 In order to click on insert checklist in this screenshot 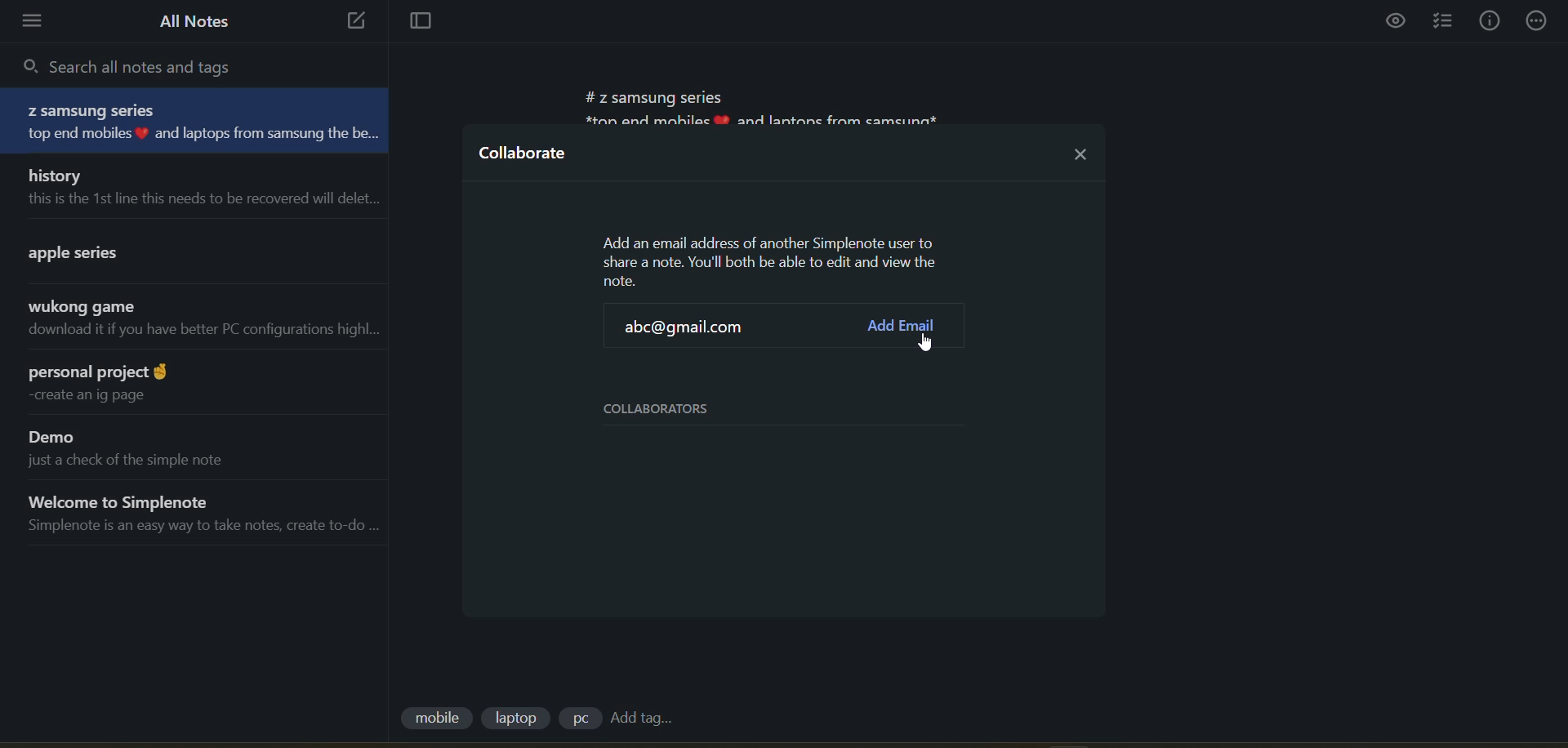, I will do `click(1446, 22)`.